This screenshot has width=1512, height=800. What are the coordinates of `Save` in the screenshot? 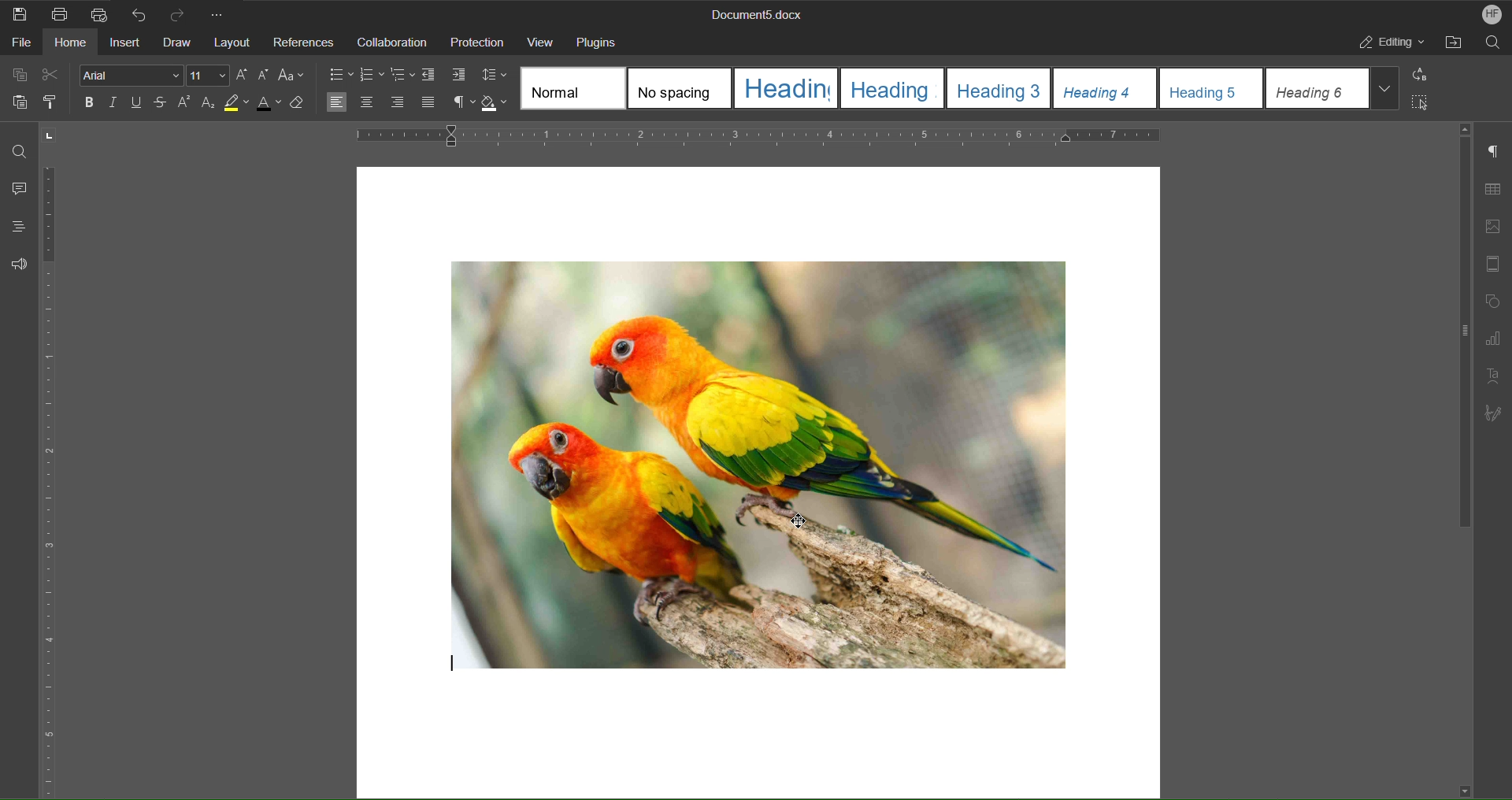 It's located at (20, 13).